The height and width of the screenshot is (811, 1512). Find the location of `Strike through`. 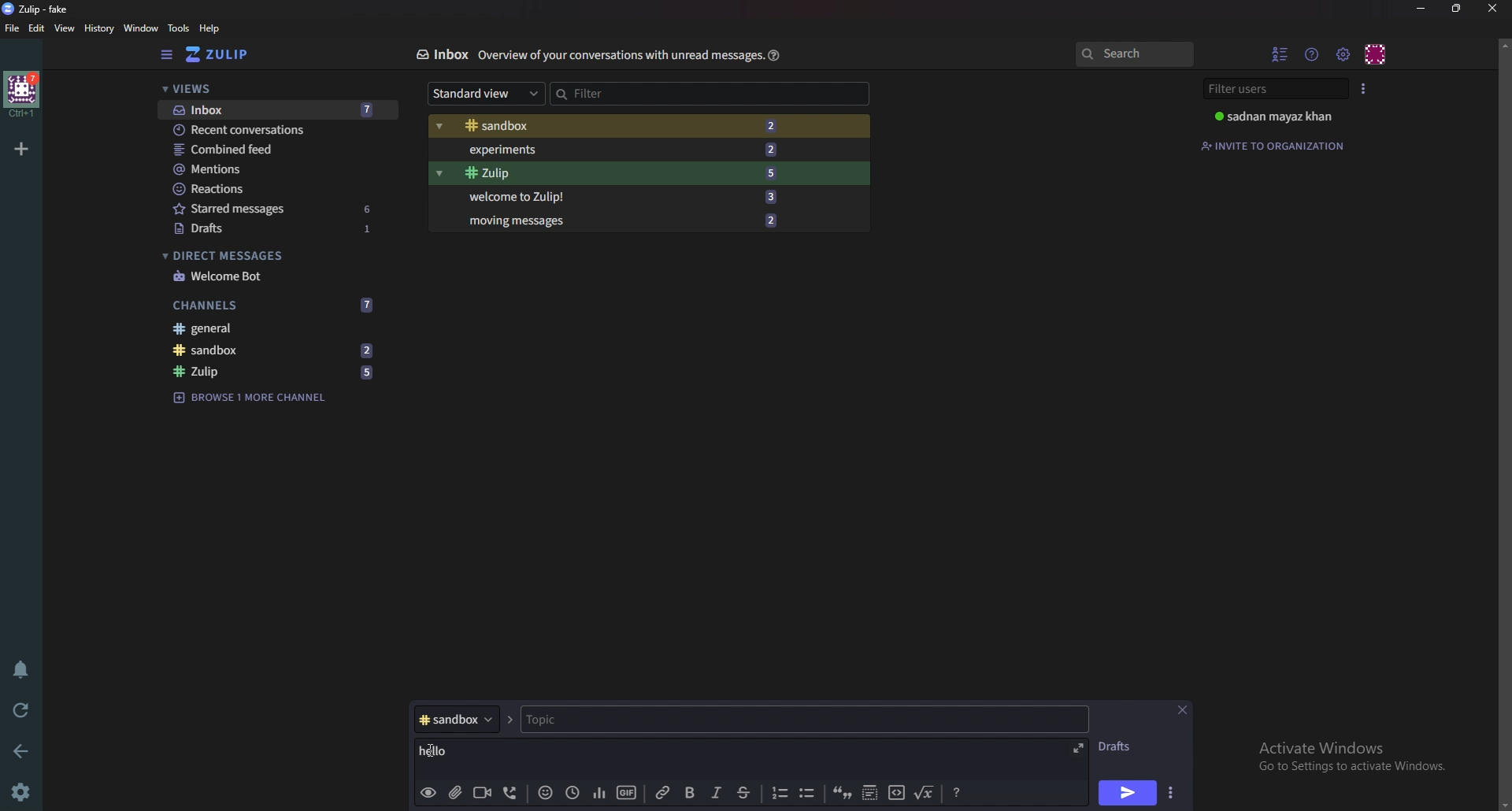

Strike through is located at coordinates (750, 793).